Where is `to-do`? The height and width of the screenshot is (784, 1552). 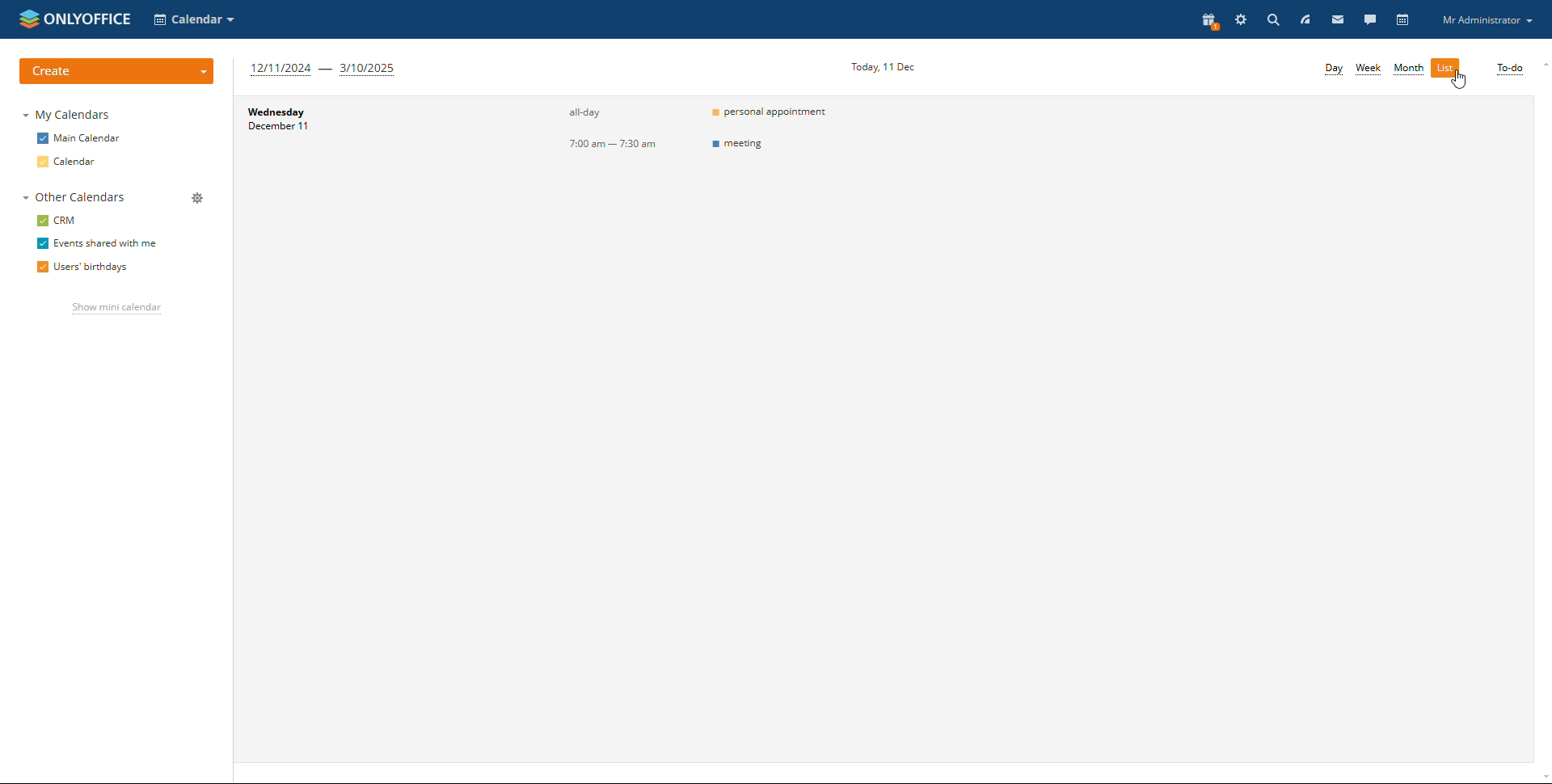 to-do is located at coordinates (1510, 68).